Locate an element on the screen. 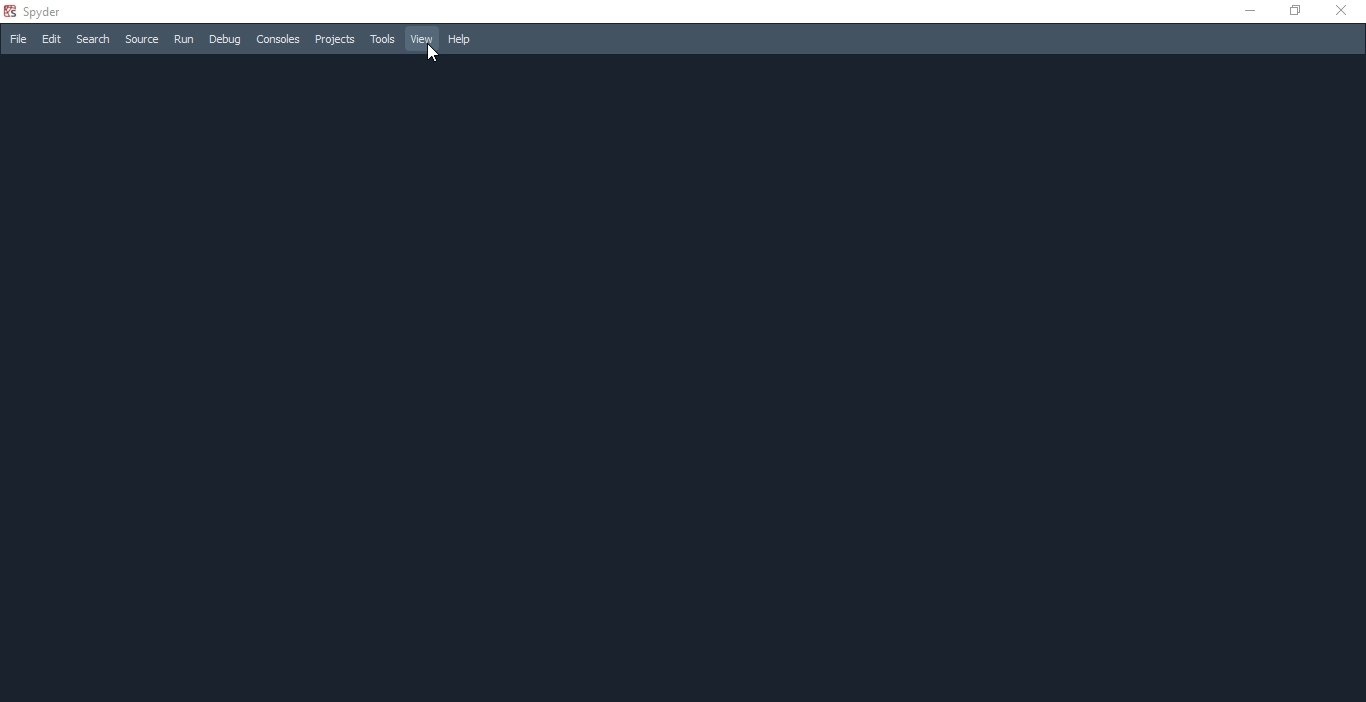 The height and width of the screenshot is (702, 1366). spyder Desktop Icon is located at coordinates (37, 11).